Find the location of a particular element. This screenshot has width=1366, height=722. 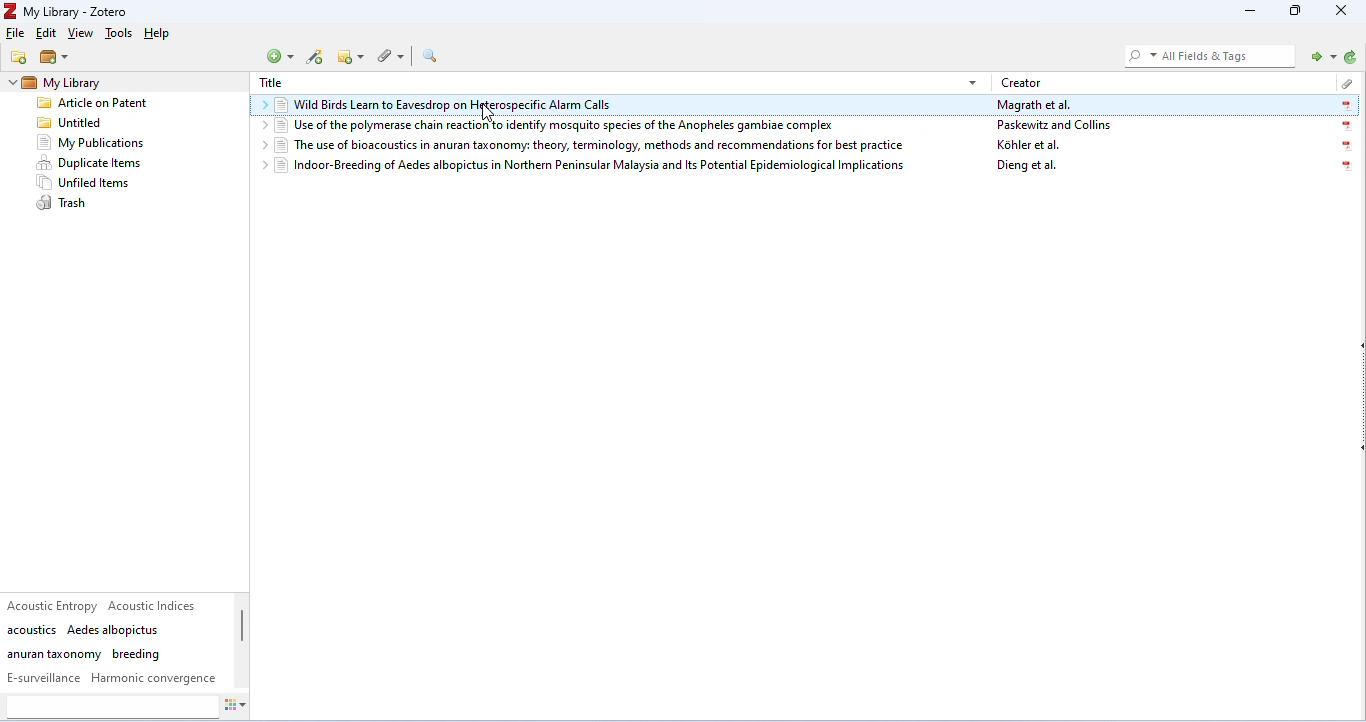

file is located at coordinates (16, 33).